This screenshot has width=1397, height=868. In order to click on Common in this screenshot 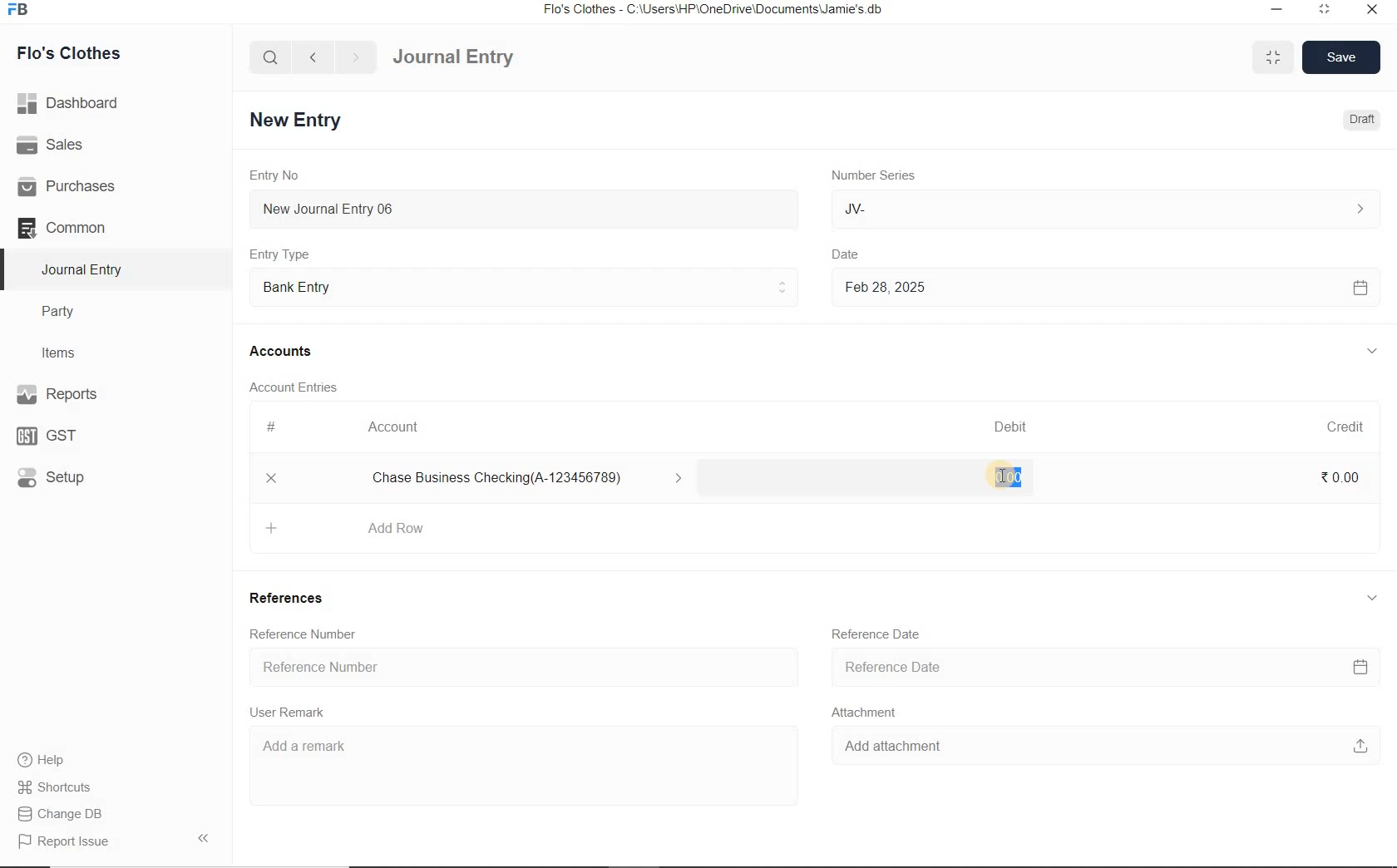, I will do `click(81, 227)`.